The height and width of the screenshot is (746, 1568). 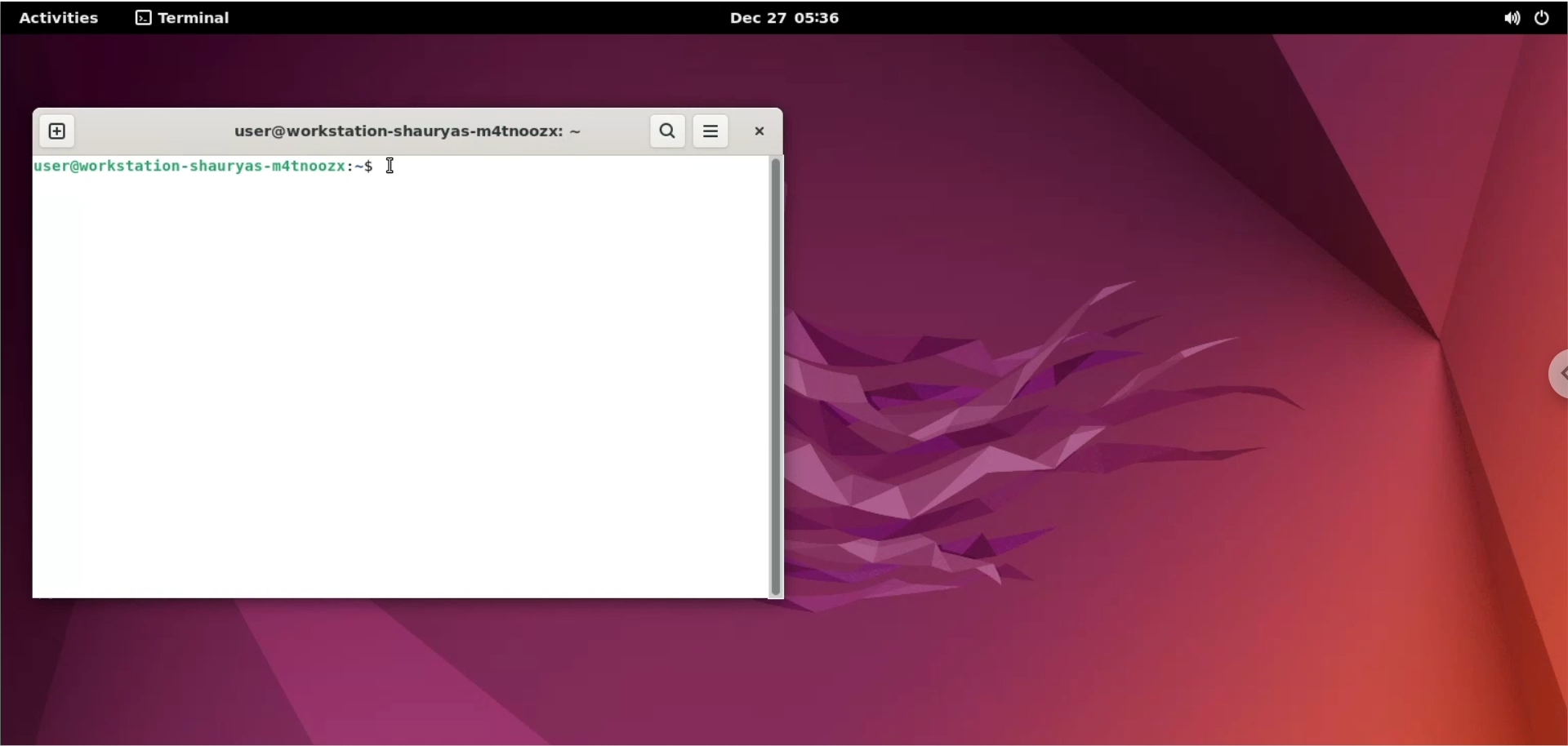 What do you see at coordinates (203, 165) in the screenshot?
I see `user@workstation-shauryas-m4tnoozx: ~$` at bounding box center [203, 165].